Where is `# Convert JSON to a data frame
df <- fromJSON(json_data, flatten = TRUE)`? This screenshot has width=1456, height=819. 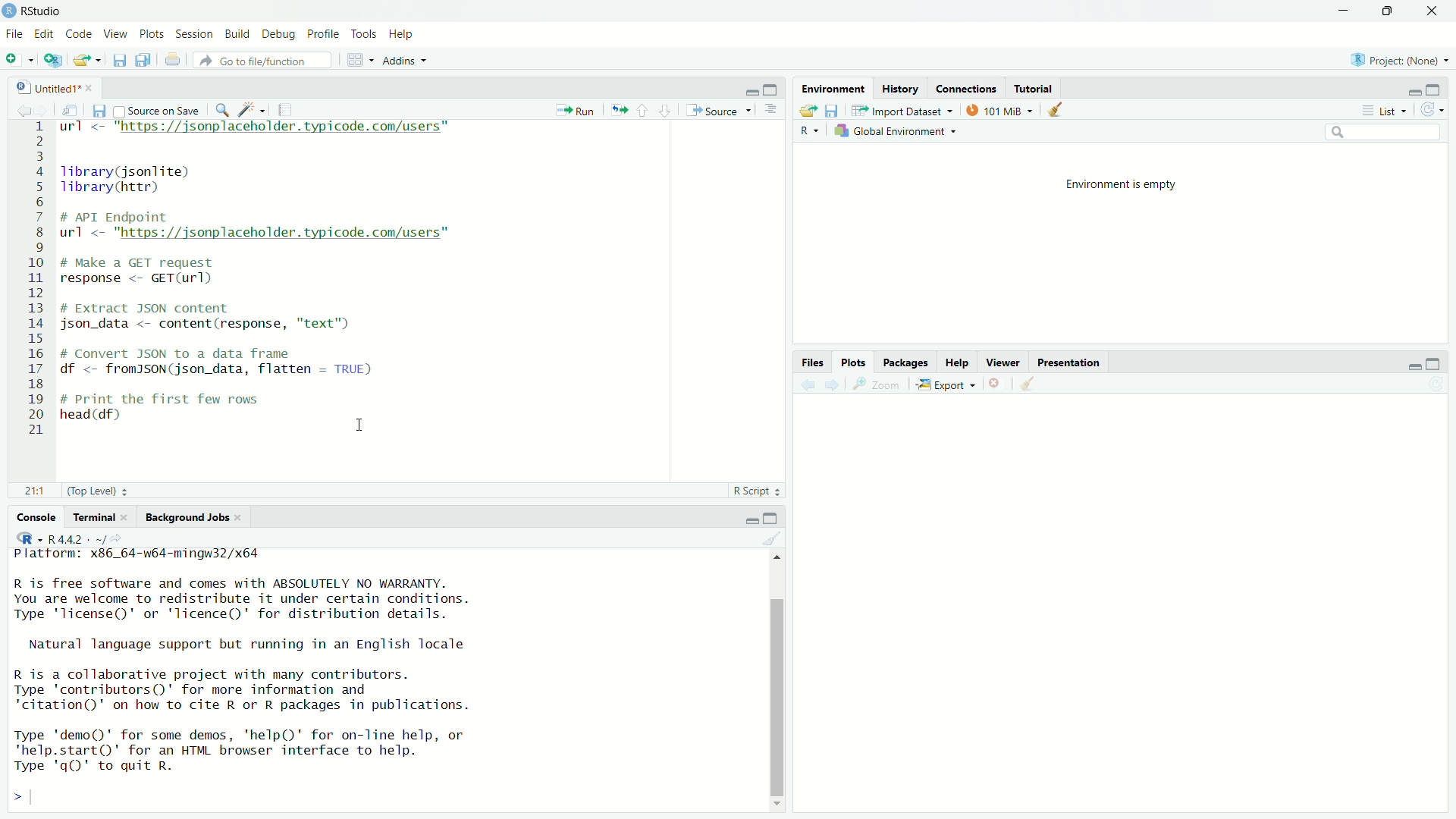 # Convert JSON to a data frame
df <- fromJSON(json_data, flatten = TRUE) is located at coordinates (220, 362).